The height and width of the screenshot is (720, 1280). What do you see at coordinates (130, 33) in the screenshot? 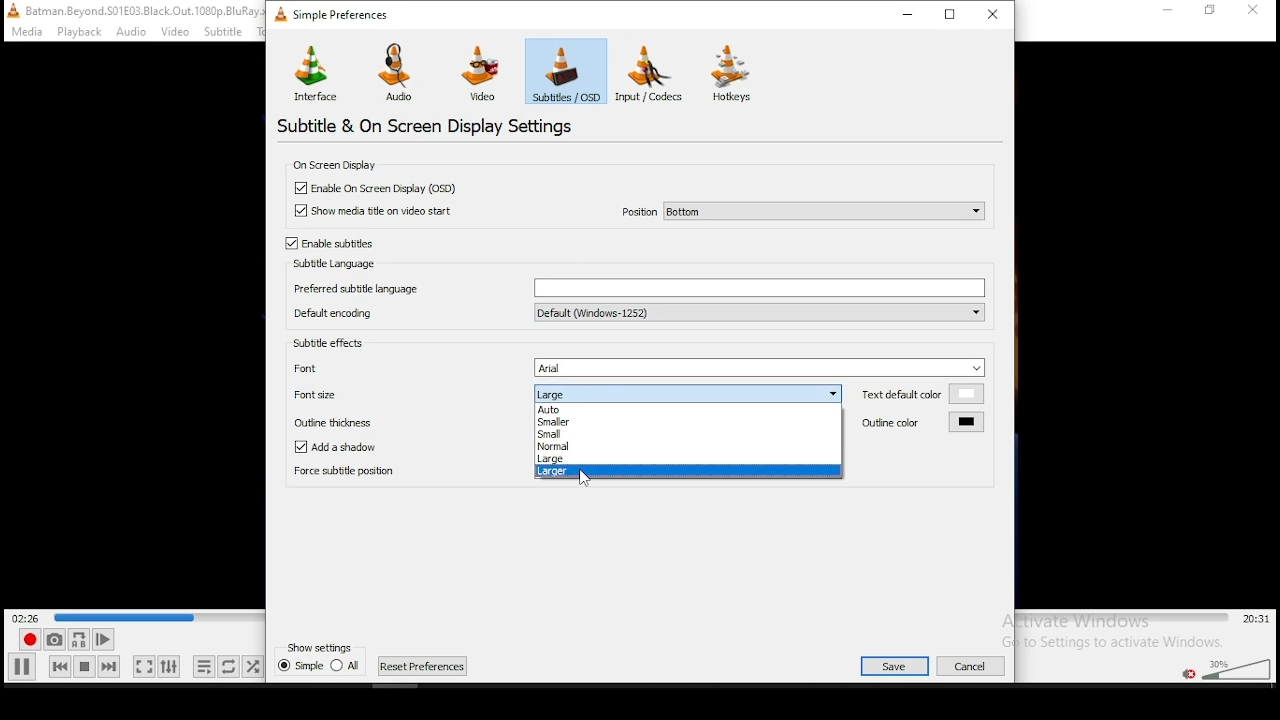
I see `audio` at bounding box center [130, 33].